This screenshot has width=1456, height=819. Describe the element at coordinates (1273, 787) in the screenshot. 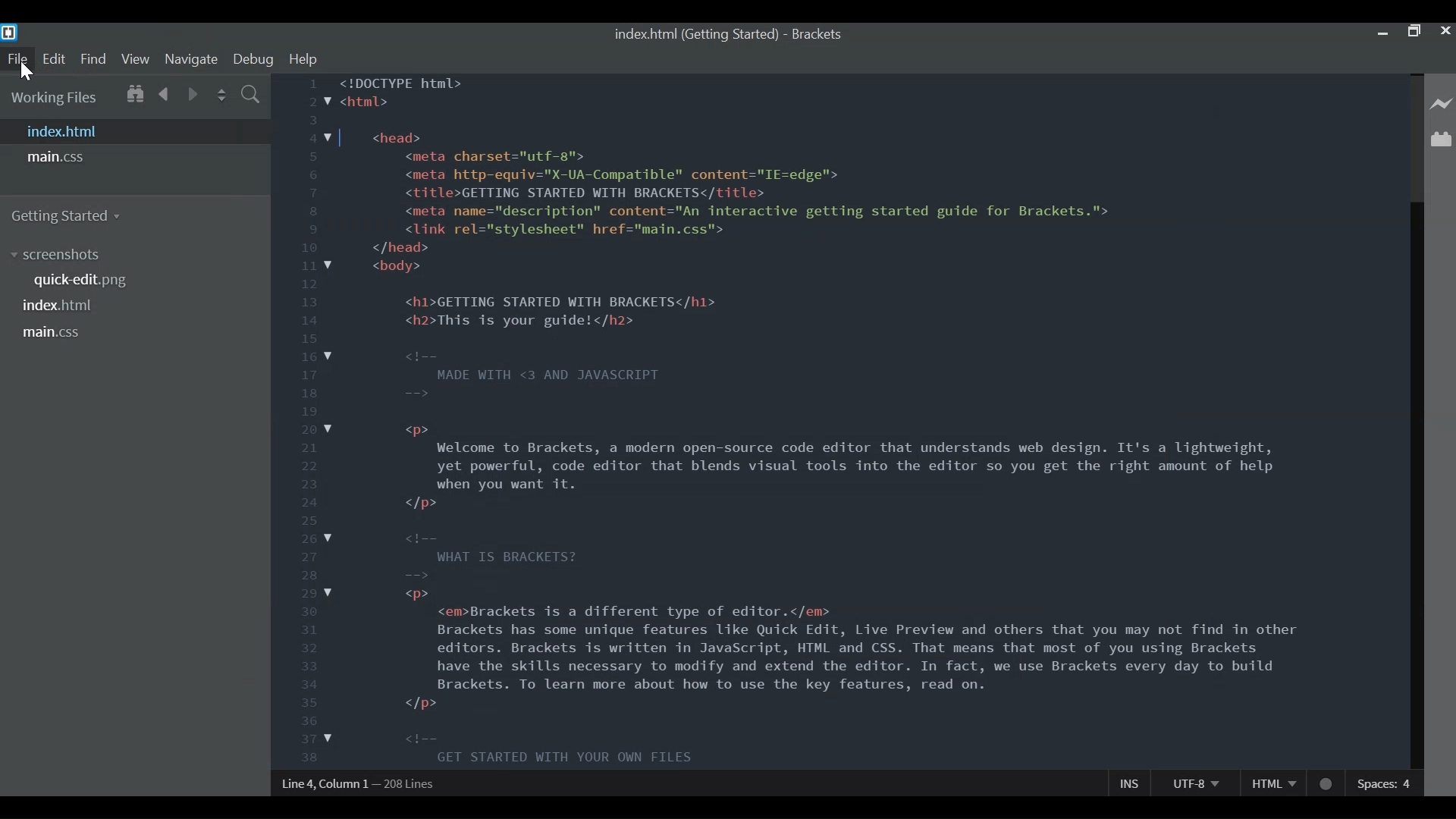

I see `HTML` at that location.